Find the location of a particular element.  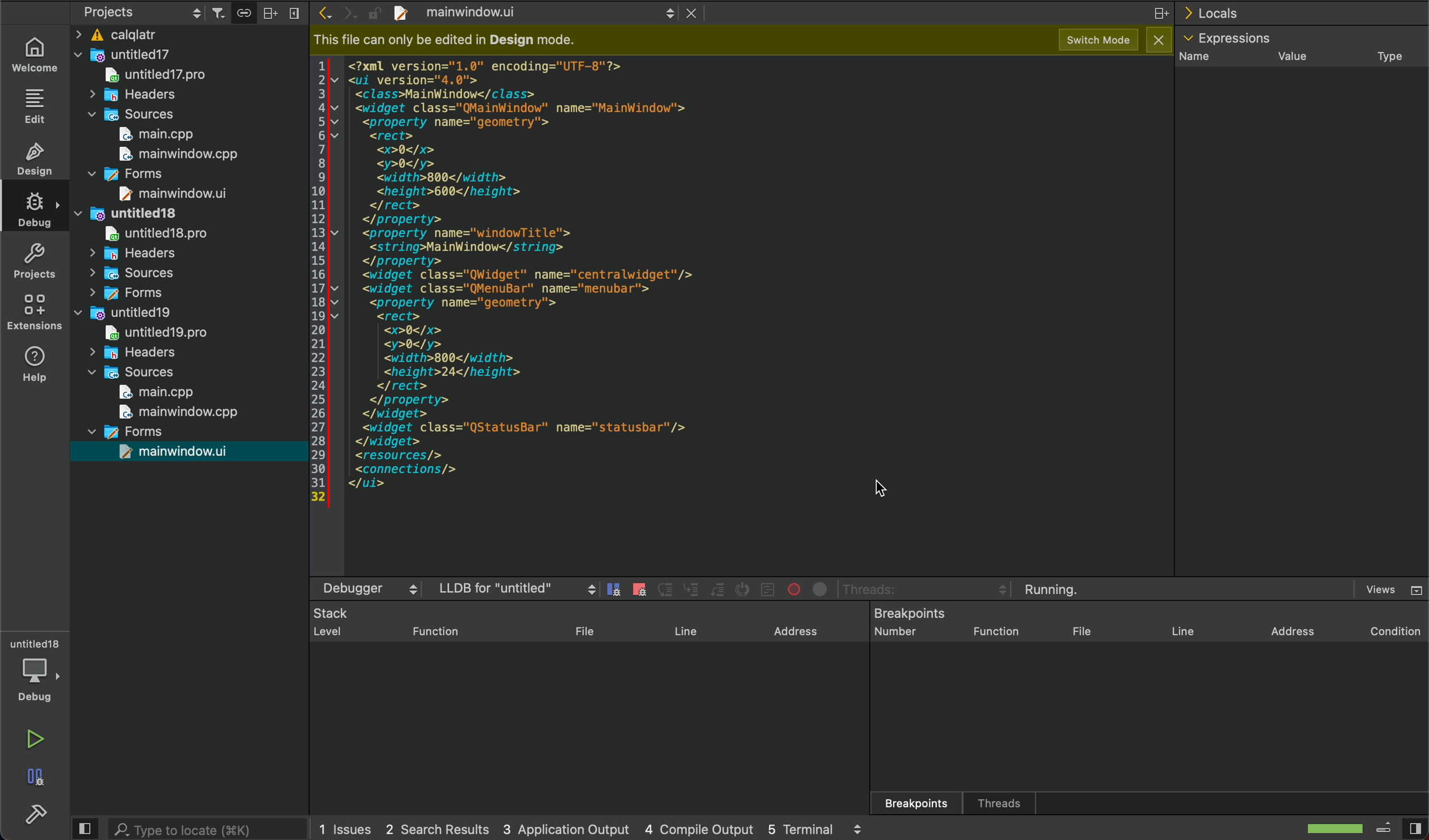

LLDB for "untitled" = is located at coordinates (516, 584).